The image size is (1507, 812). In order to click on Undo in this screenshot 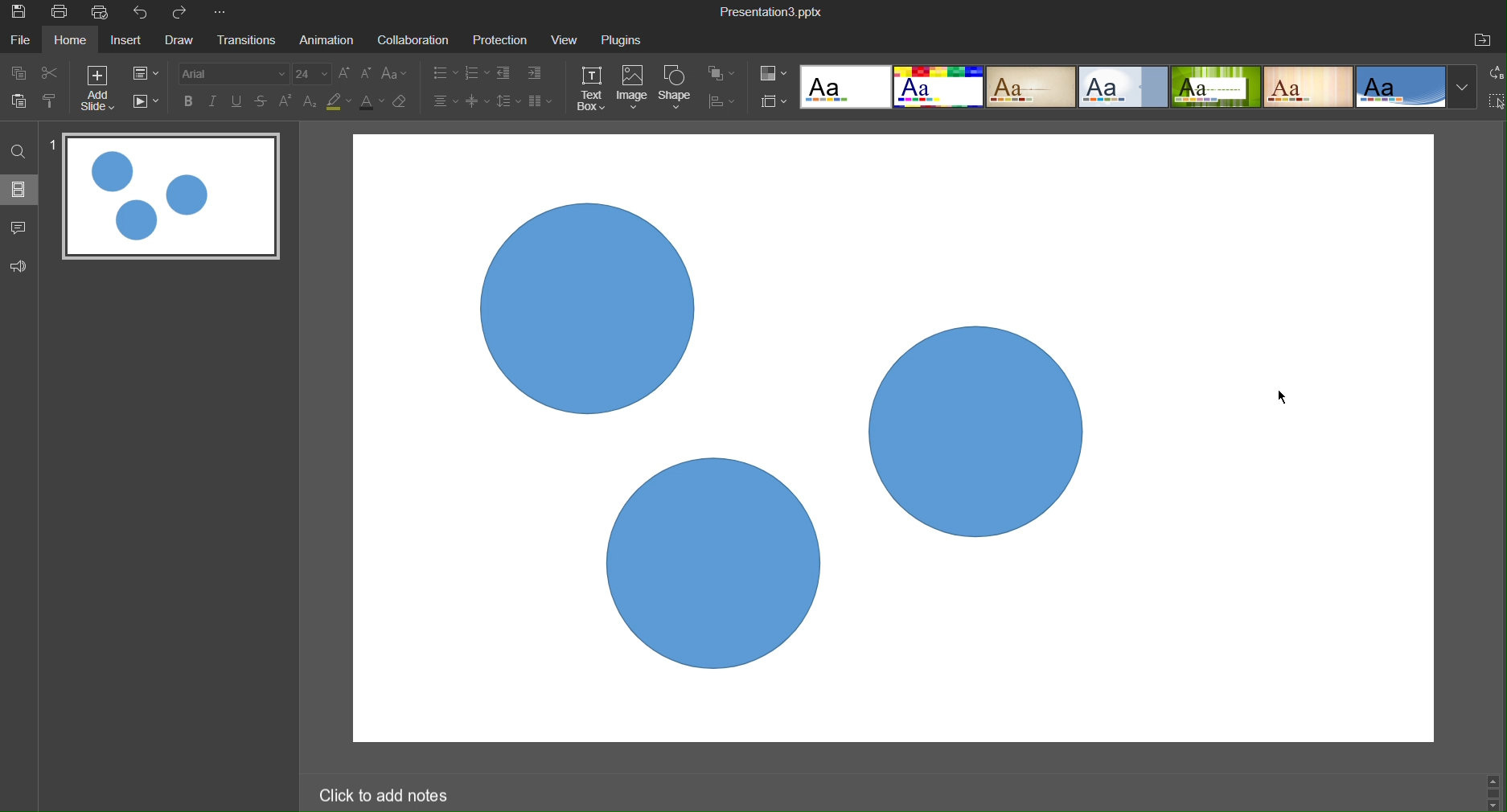, I will do `click(142, 12)`.